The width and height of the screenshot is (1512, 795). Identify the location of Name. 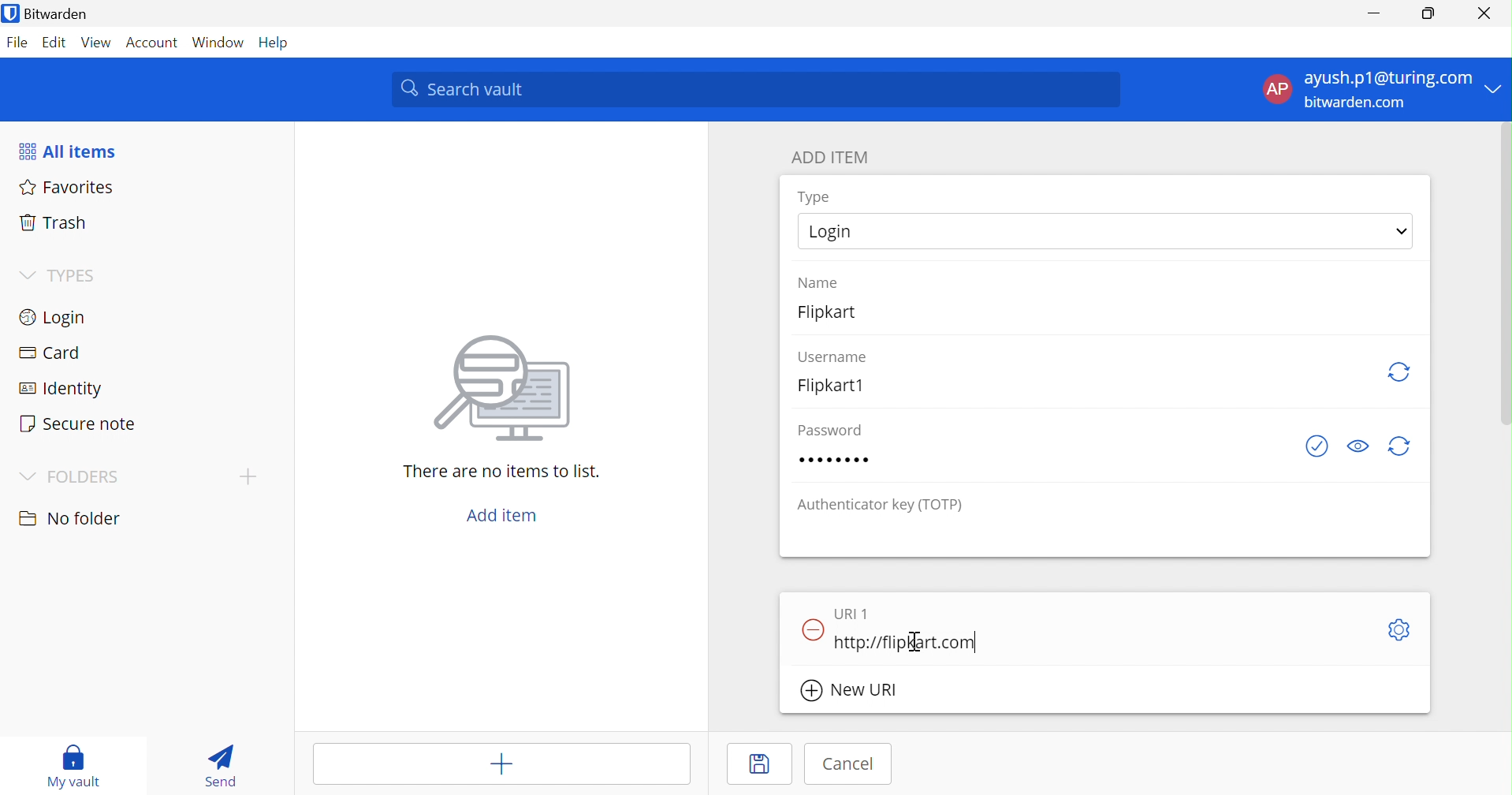
(821, 281).